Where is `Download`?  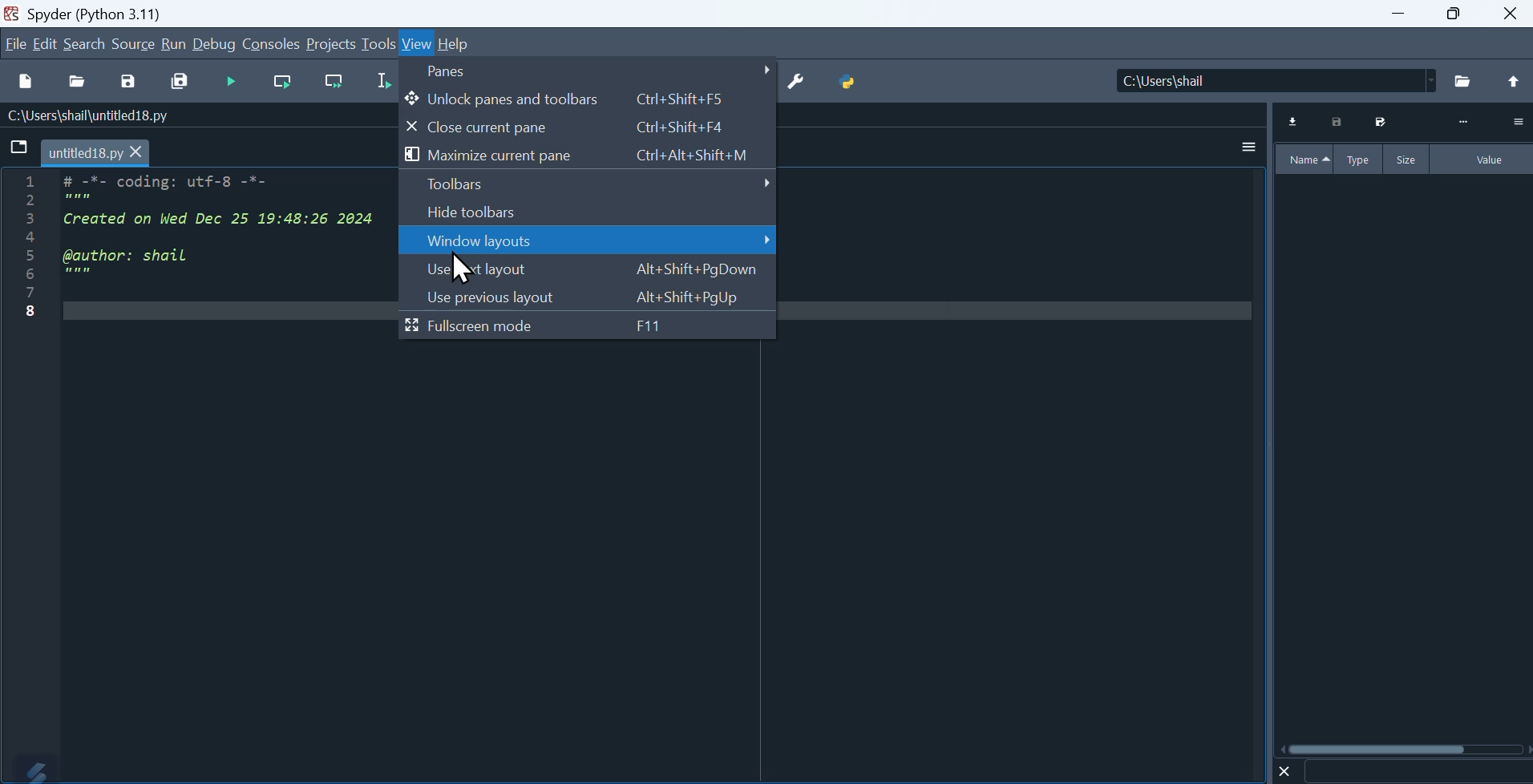
Download is located at coordinates (1294, 122).